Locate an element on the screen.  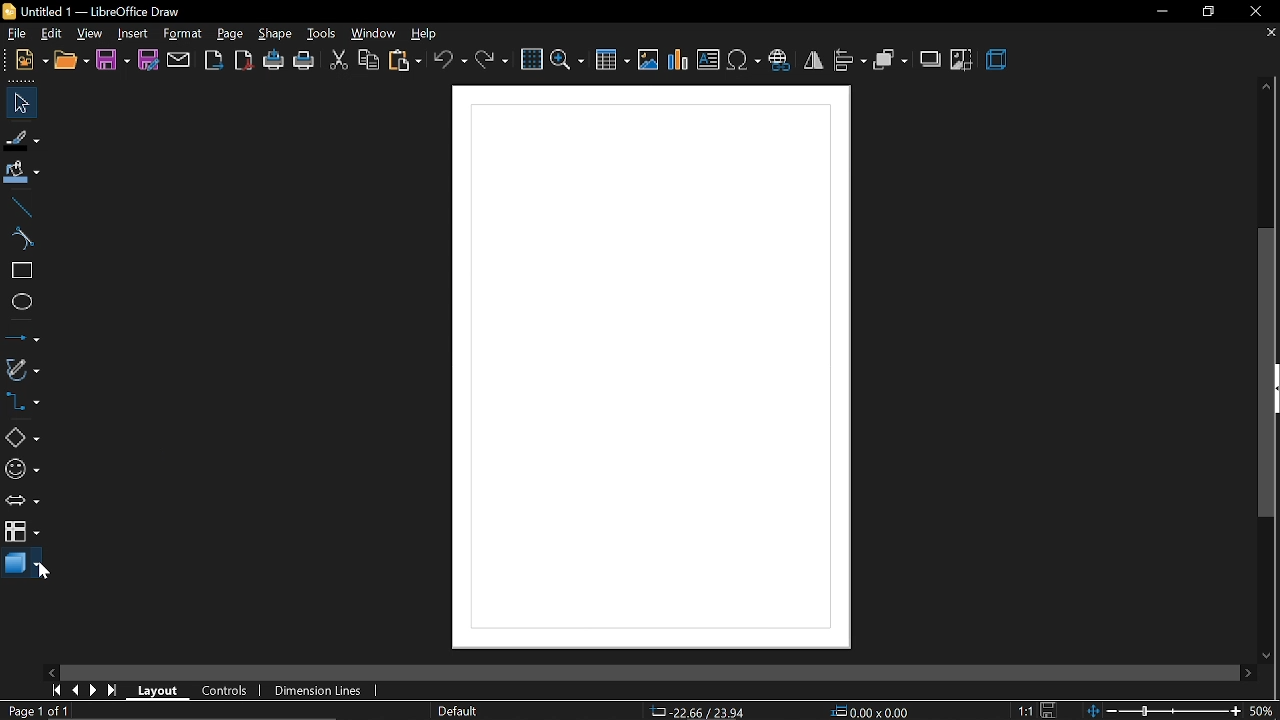
ellipse is located at coordinates (18, 301).